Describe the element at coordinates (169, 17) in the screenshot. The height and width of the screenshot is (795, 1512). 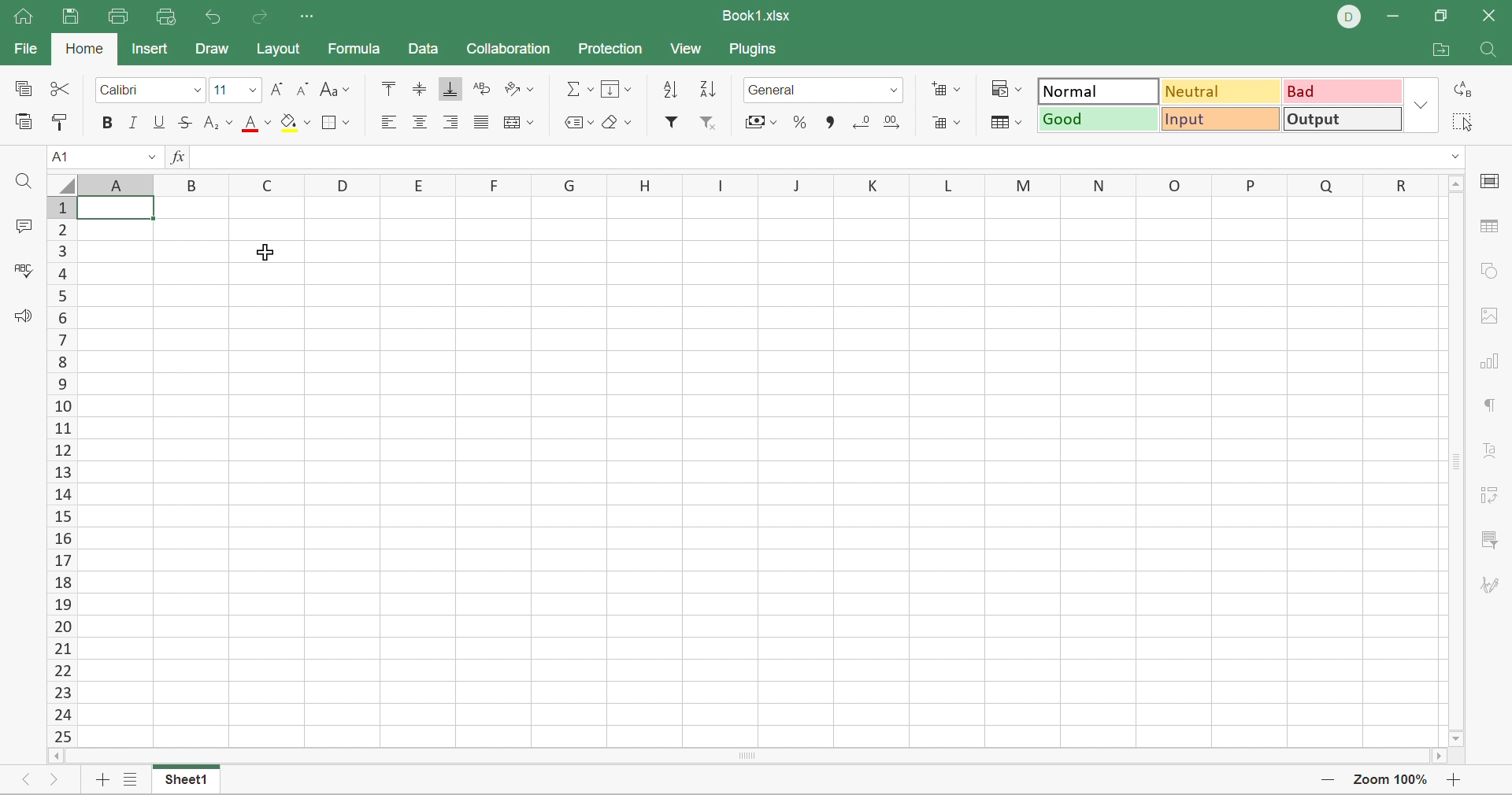
I see `Quick Print` at that location.